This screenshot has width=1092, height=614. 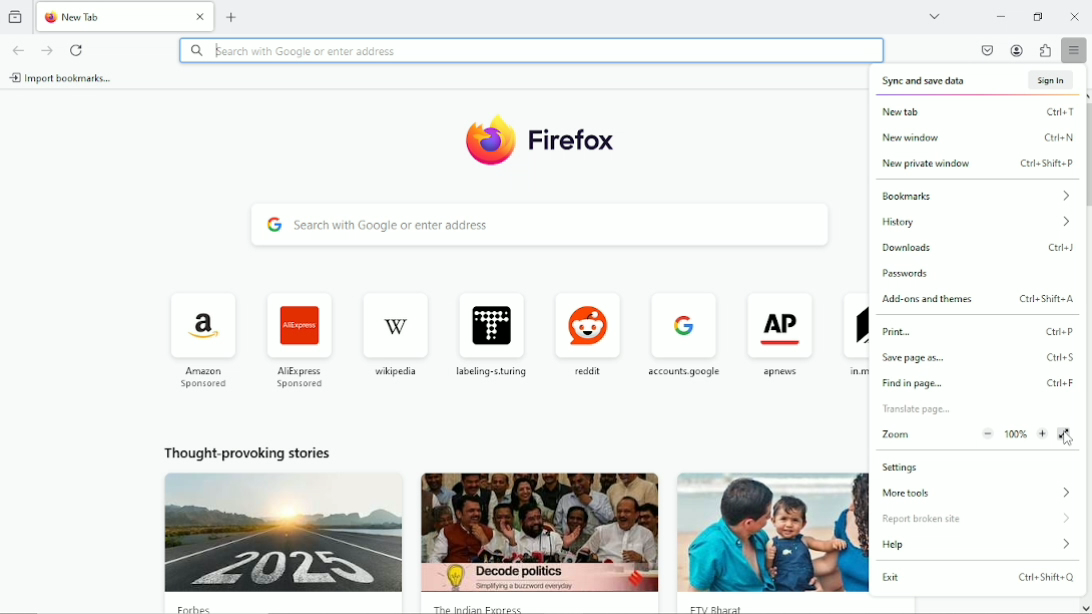 I want to click on firefox , so click(x=580, y=144).